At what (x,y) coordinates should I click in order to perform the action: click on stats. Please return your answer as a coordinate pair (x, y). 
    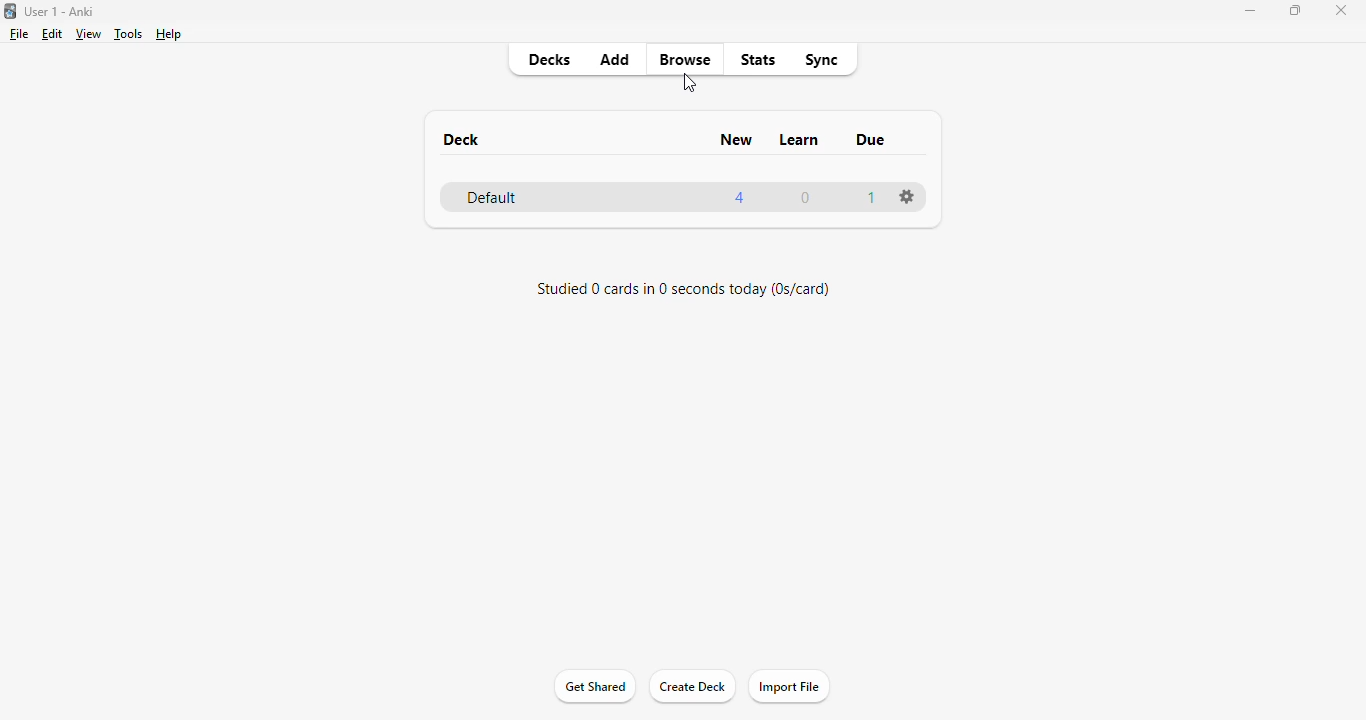
    Looking at the image, I should click on (759, 59).